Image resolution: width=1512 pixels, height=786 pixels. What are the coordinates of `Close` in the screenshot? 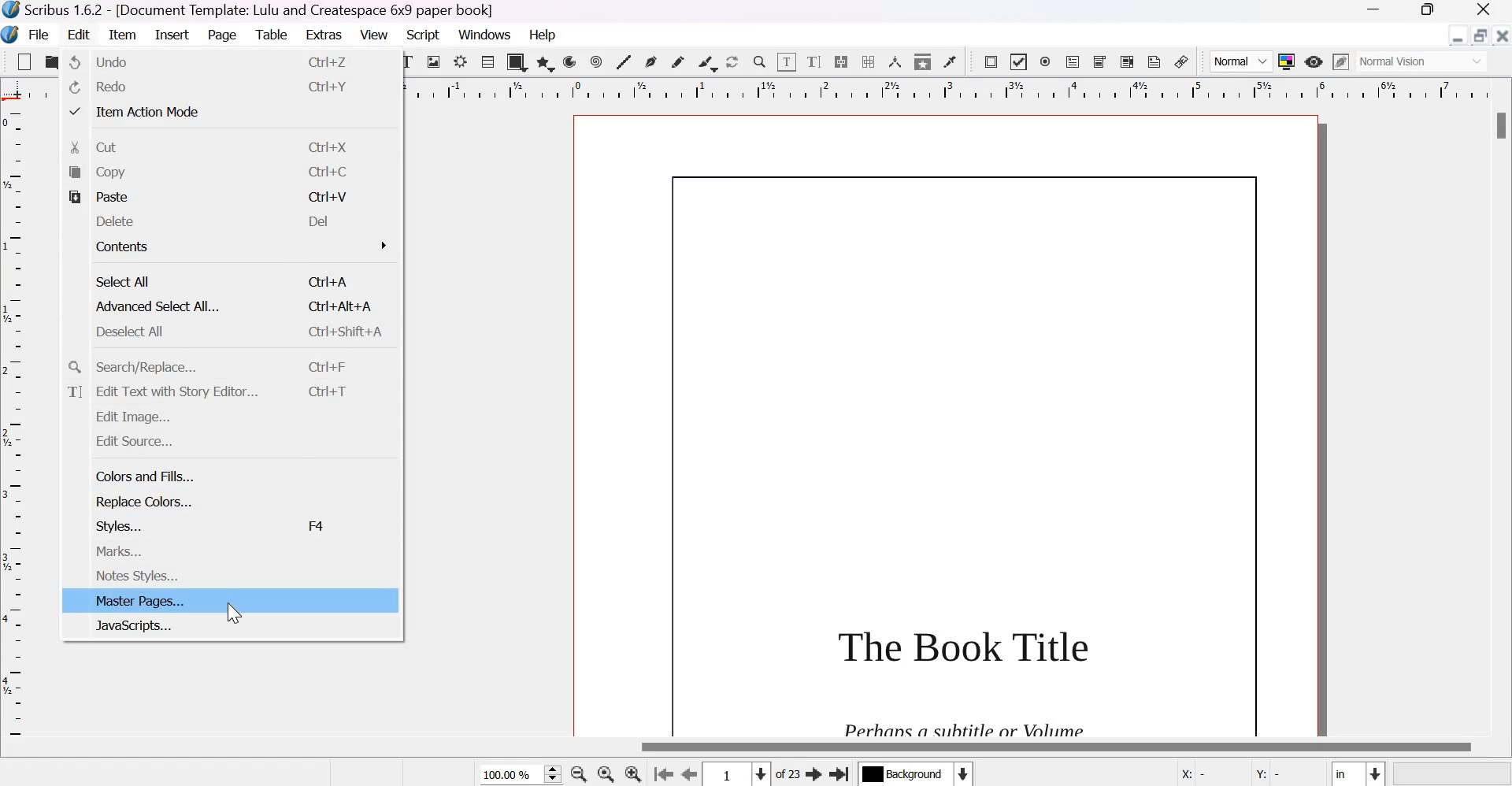 It's located at (1484, 9).